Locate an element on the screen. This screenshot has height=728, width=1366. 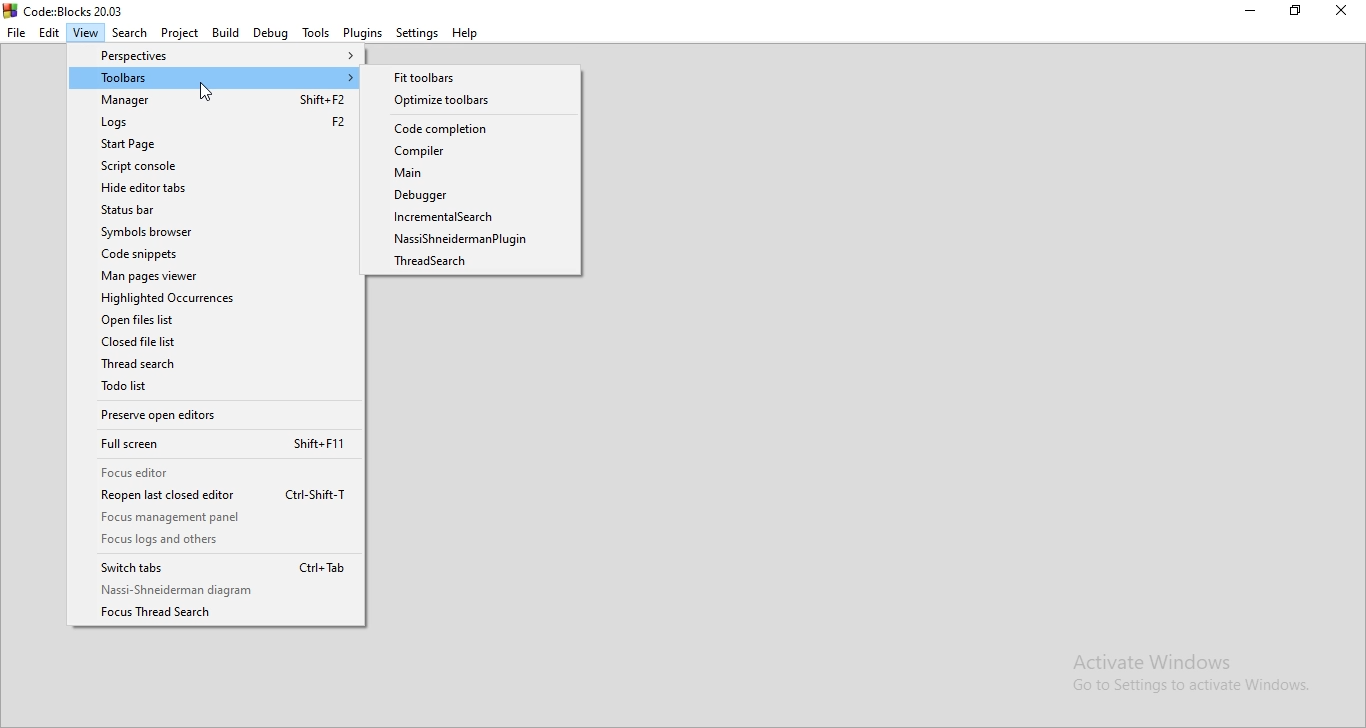
Compiler is located at coordinates (473, 152).